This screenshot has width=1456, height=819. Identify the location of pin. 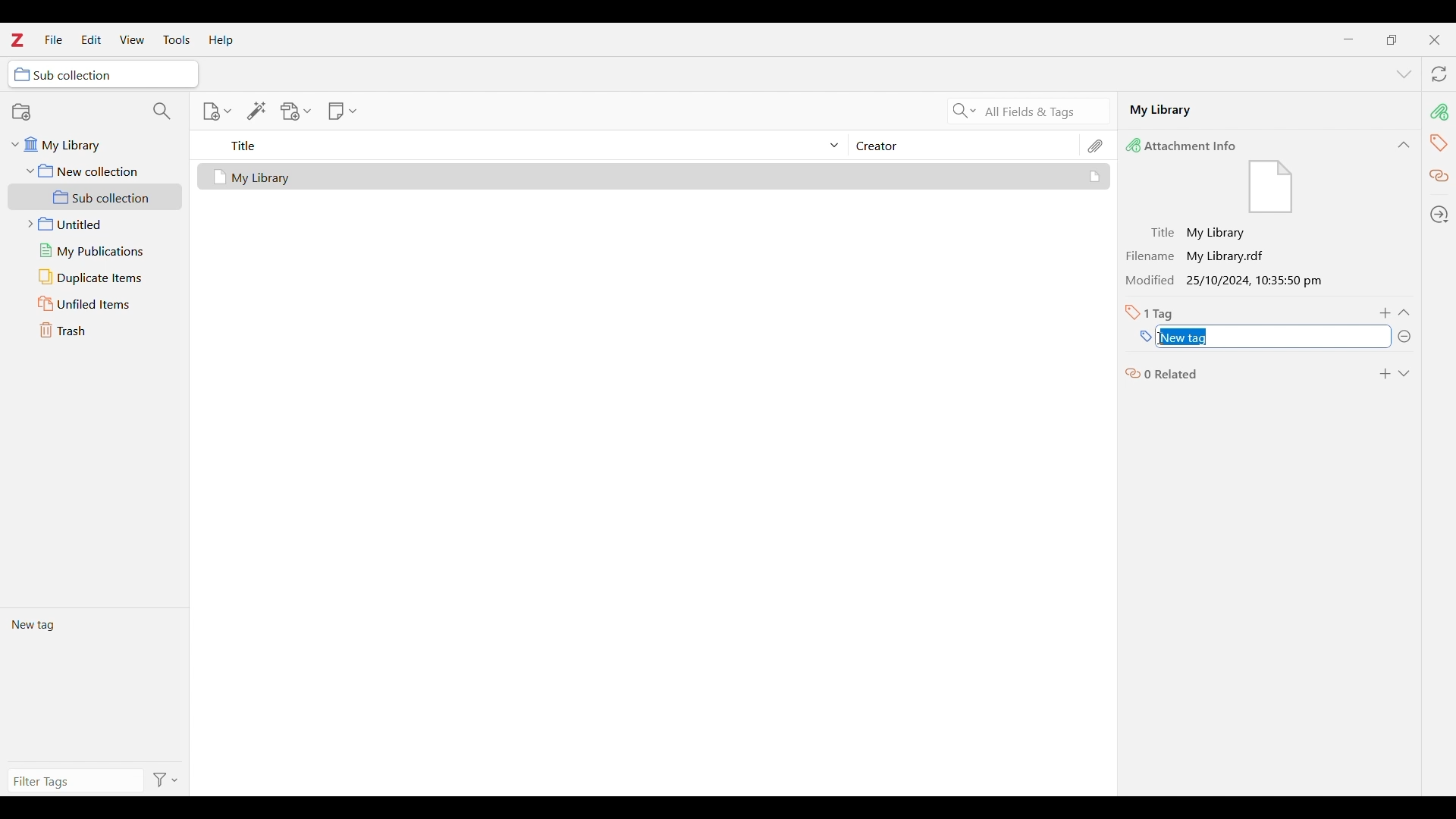
(1439, 111).